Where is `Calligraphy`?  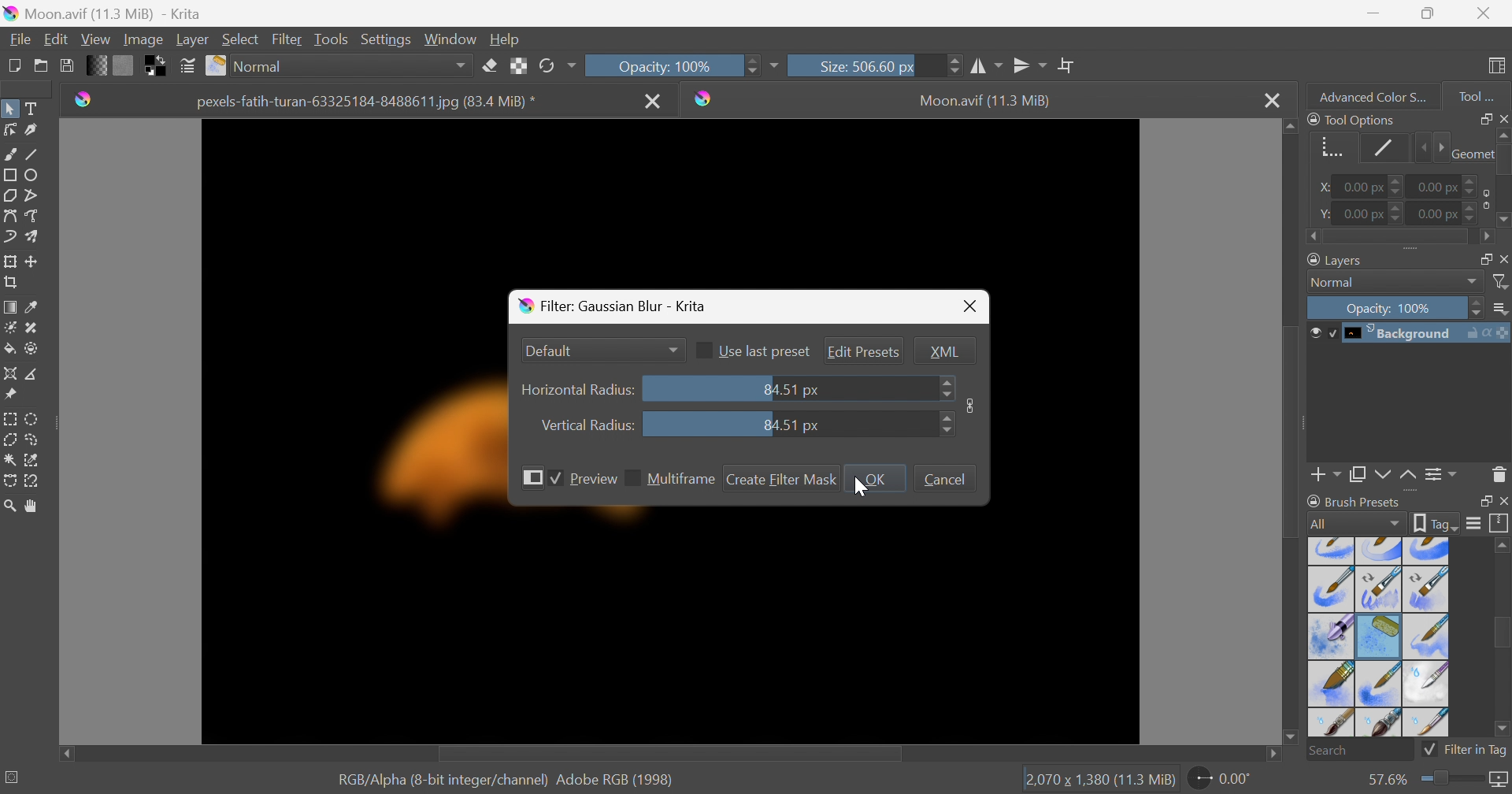 Calligraphy is located at coordinates (34, 129).